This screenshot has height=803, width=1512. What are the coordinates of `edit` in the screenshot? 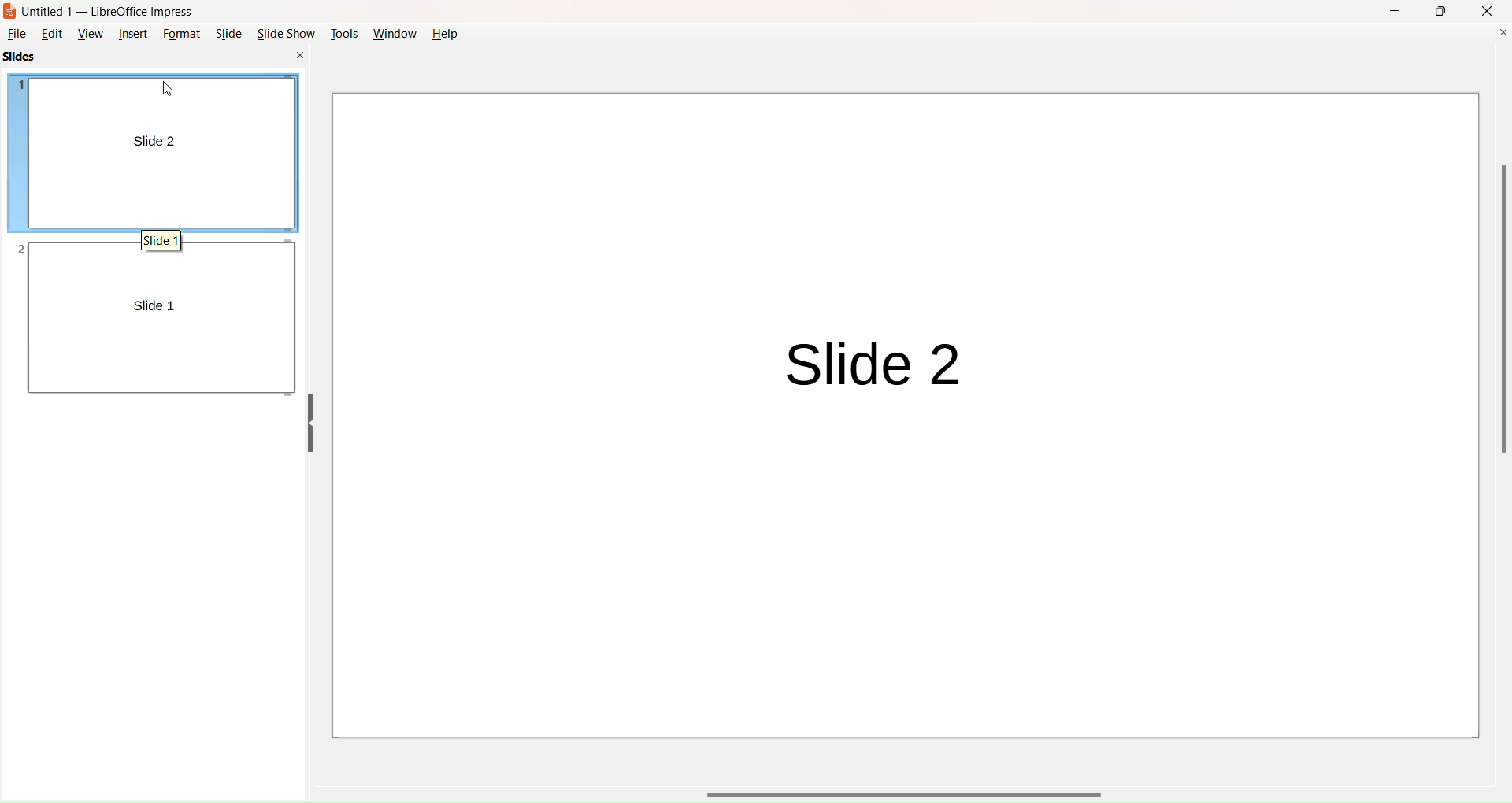 It's located at (55, 35).